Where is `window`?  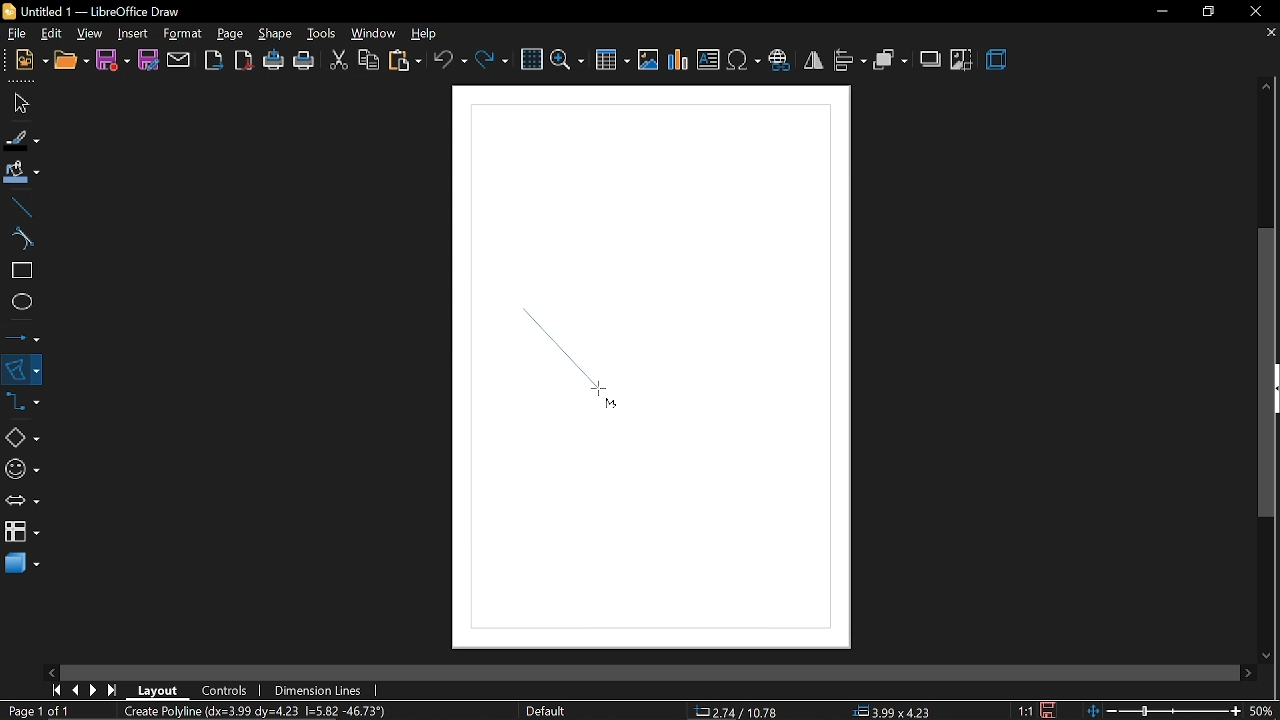
window is located at coordinates (372, 34).